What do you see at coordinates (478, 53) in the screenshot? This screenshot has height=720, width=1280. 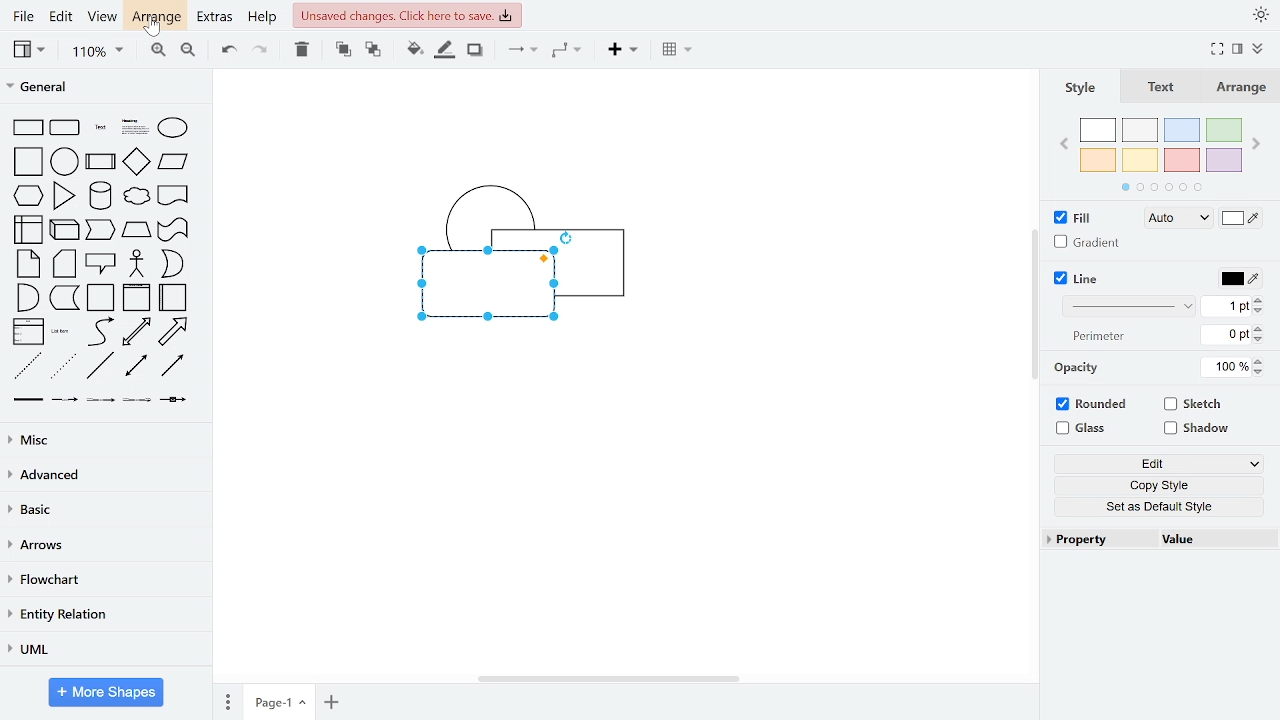 I see `shadow` at bounding box center [478, 53].